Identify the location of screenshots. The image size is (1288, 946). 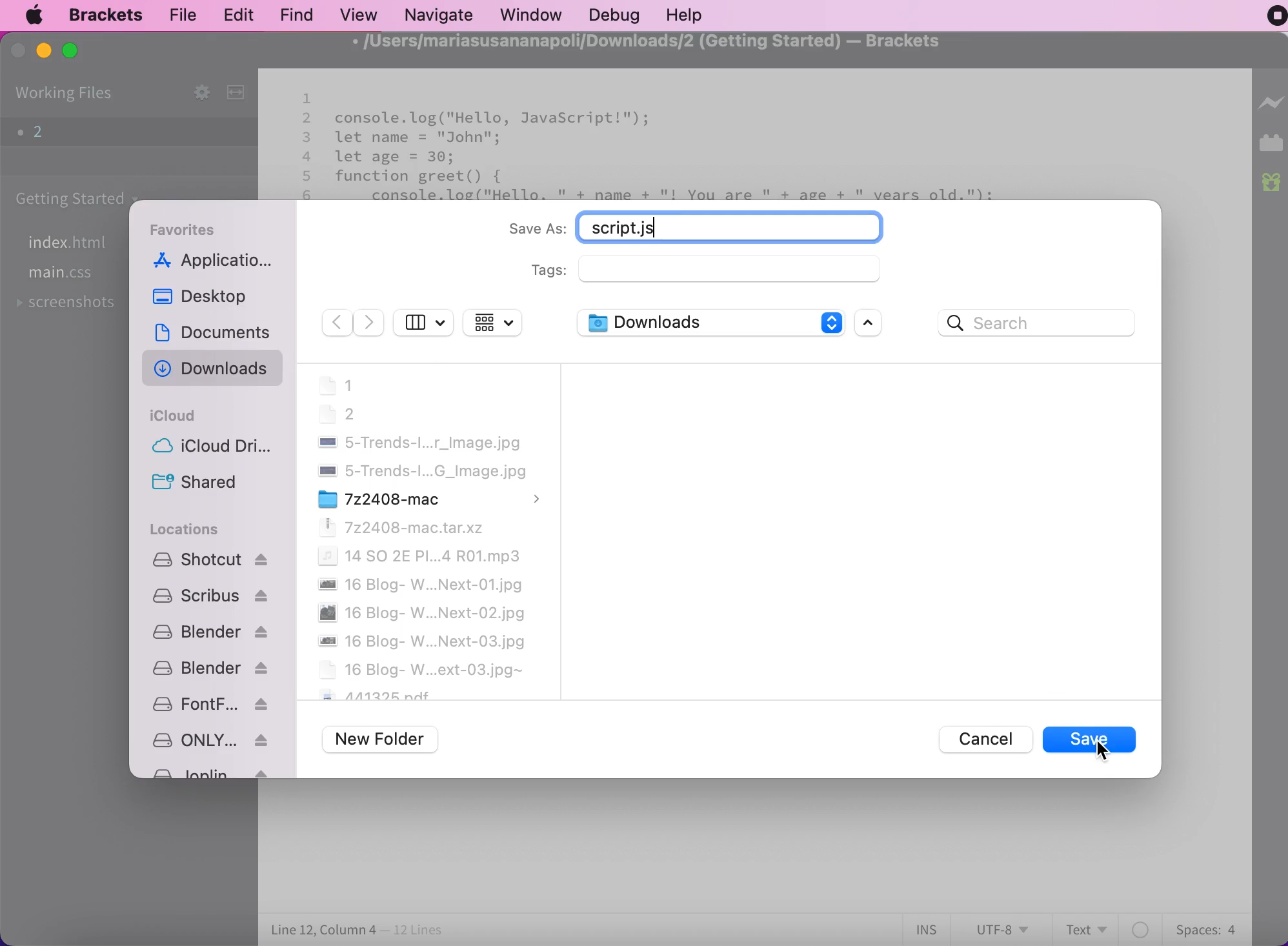
(72, 305).